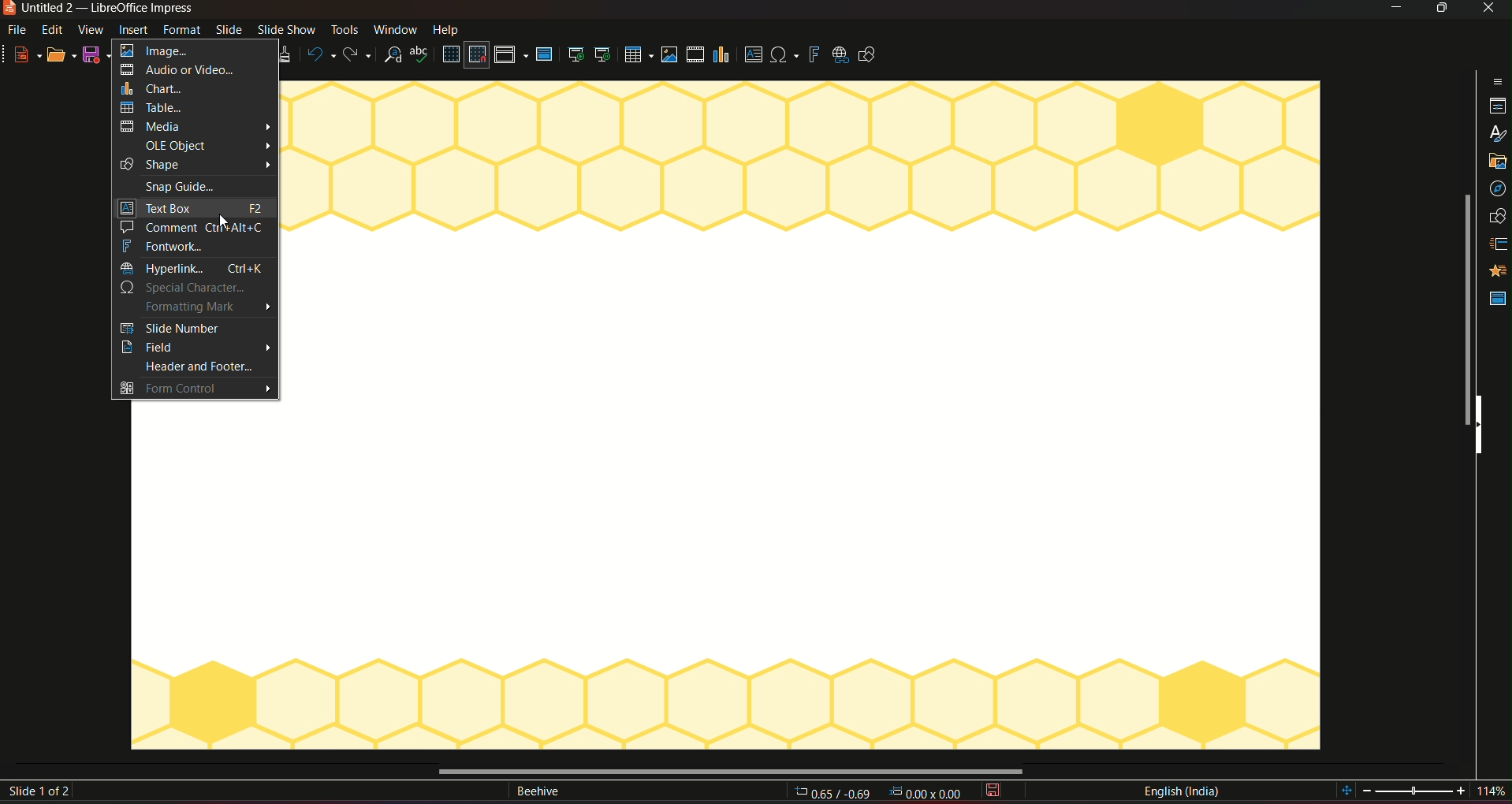 Image resolution: width=1512 pixels, height=804 pixels. I want to click on insert table, so click(636, 54).